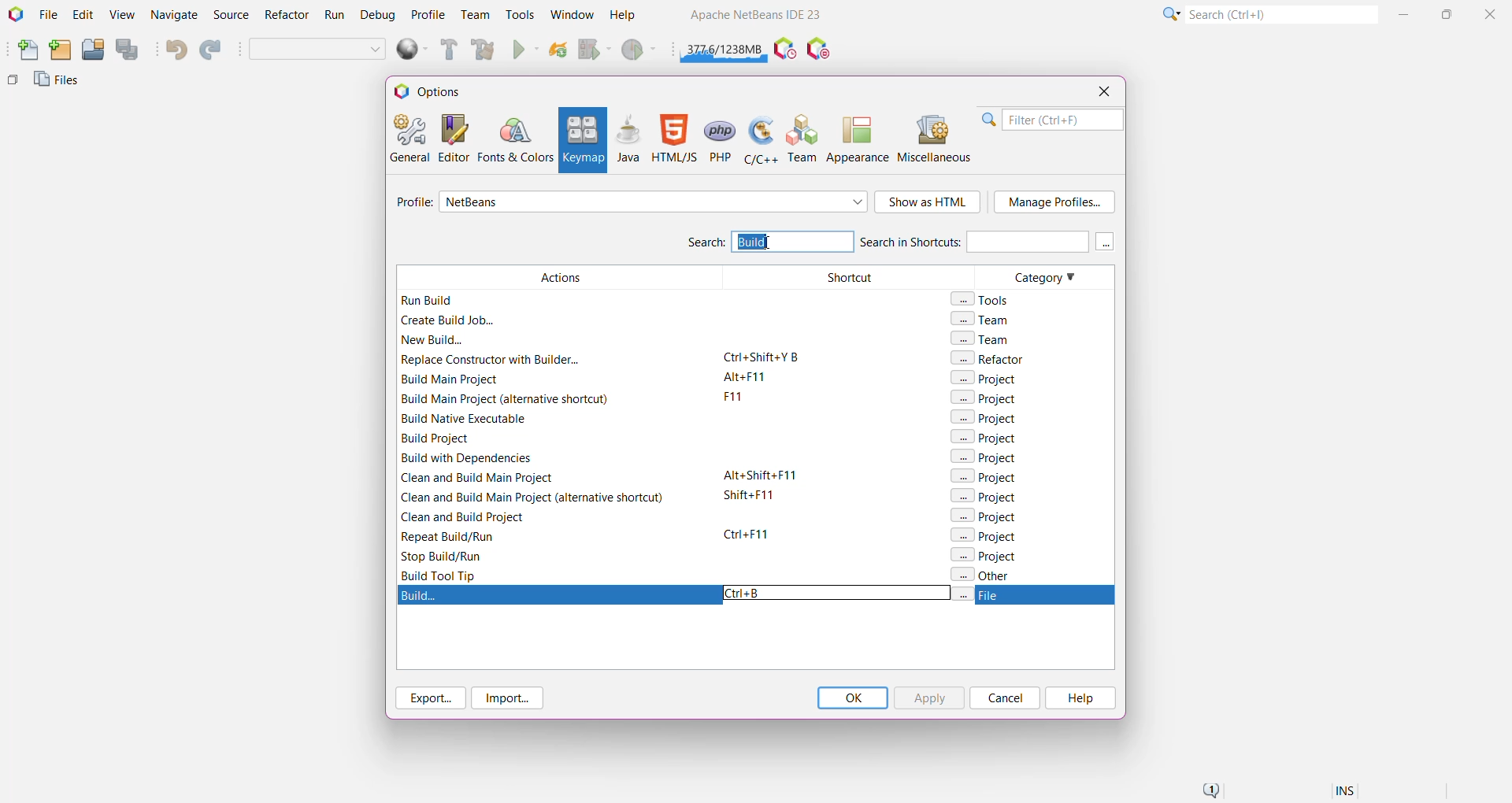  What do you see at coordinates (1492, 13) in the screenshot?
I see `Close` at bounding box center [1492, 13].